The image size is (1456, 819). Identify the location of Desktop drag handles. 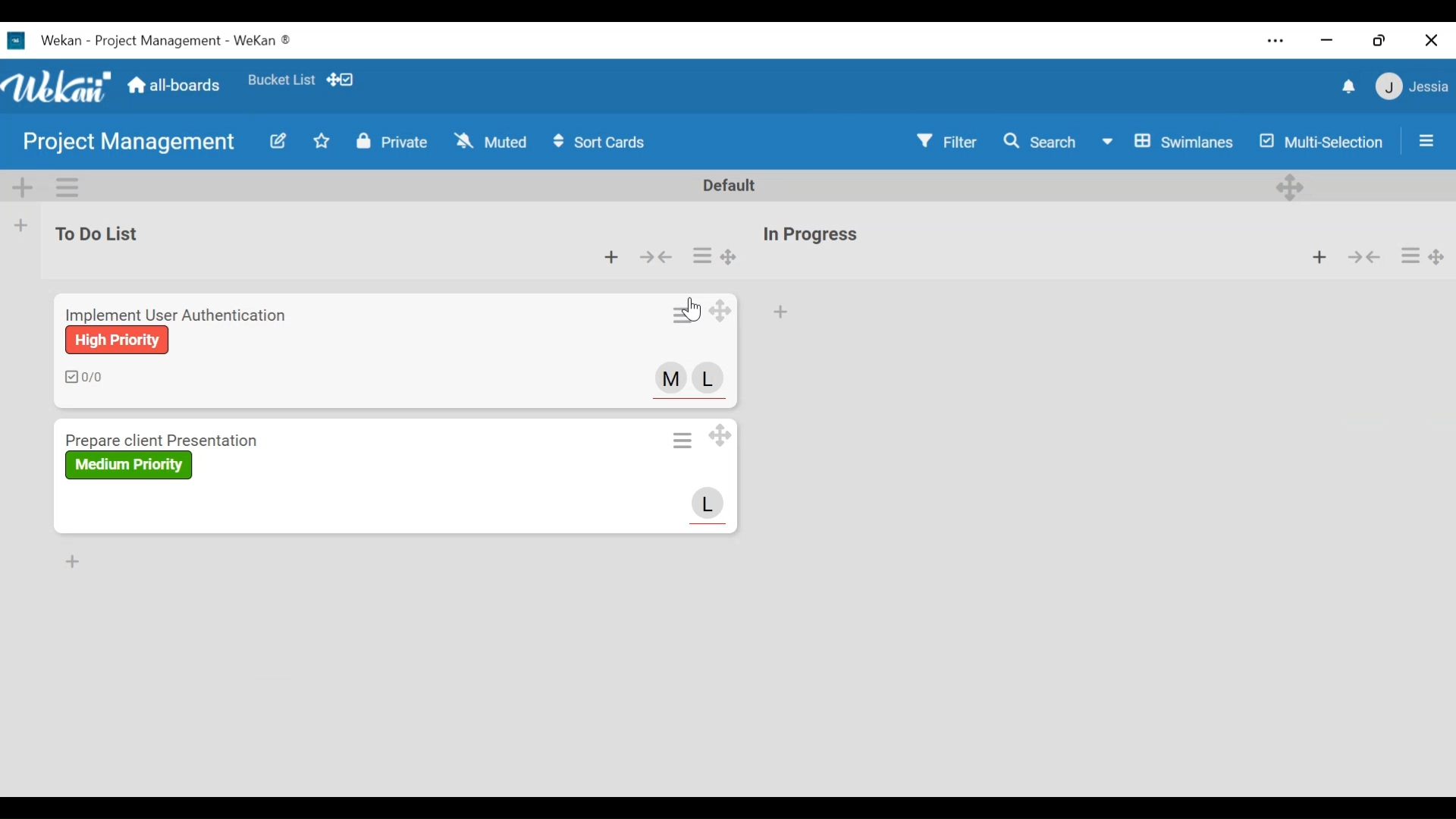
(1289, 187).